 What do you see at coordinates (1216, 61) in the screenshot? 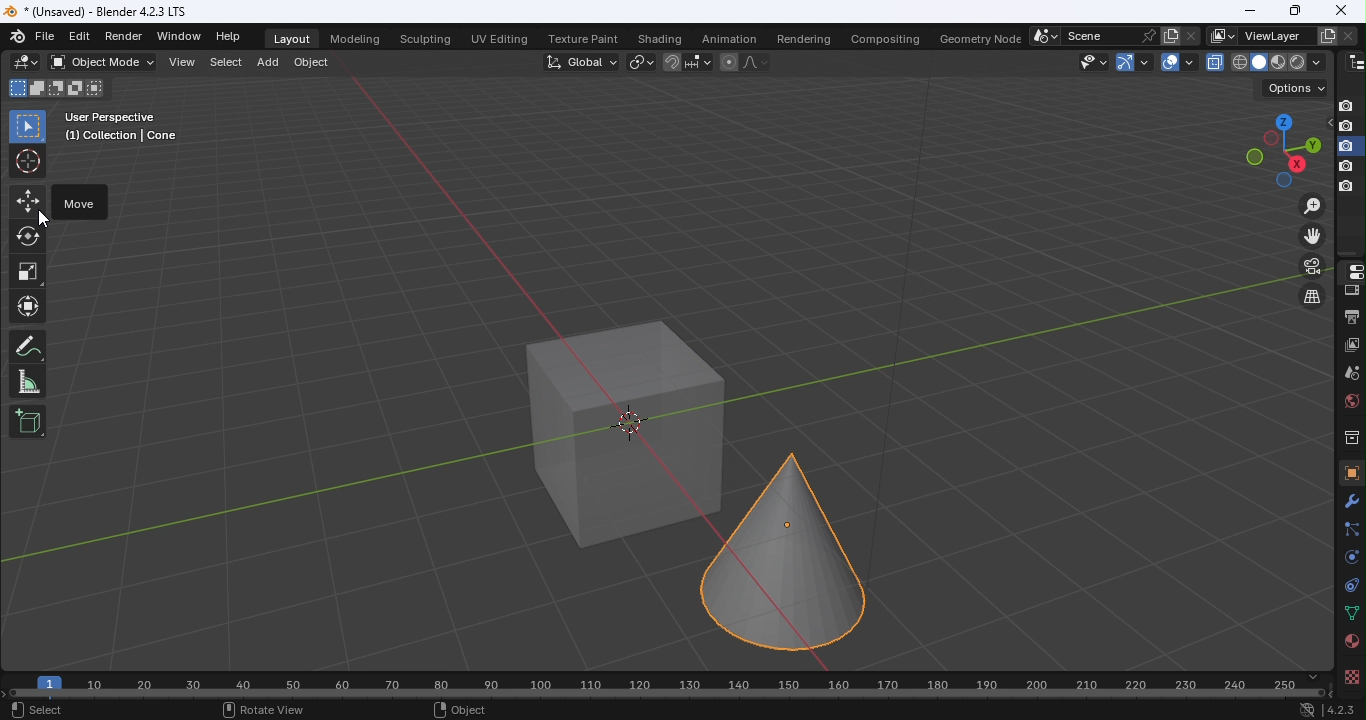
I see `Toggle X-Ray` at bounding box center [1216, 61].